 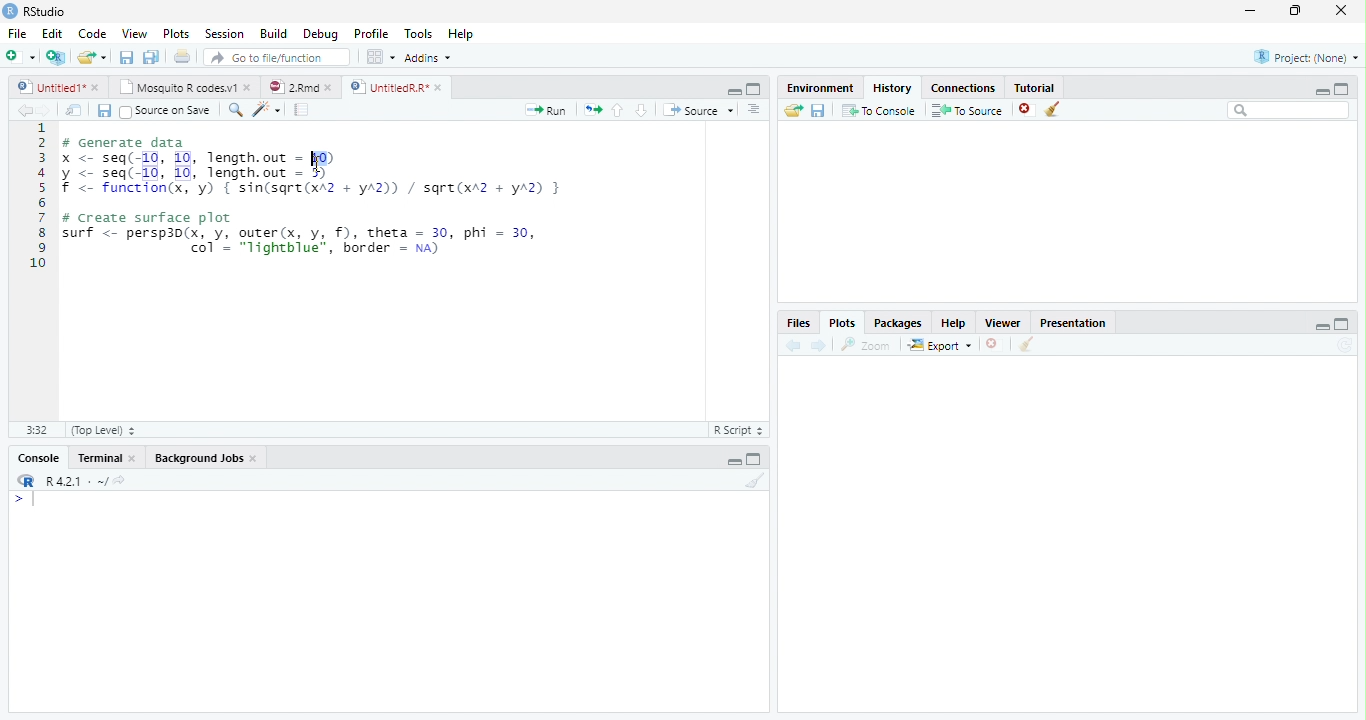 I want to click on Viewer, so click(x=1002, y=322).